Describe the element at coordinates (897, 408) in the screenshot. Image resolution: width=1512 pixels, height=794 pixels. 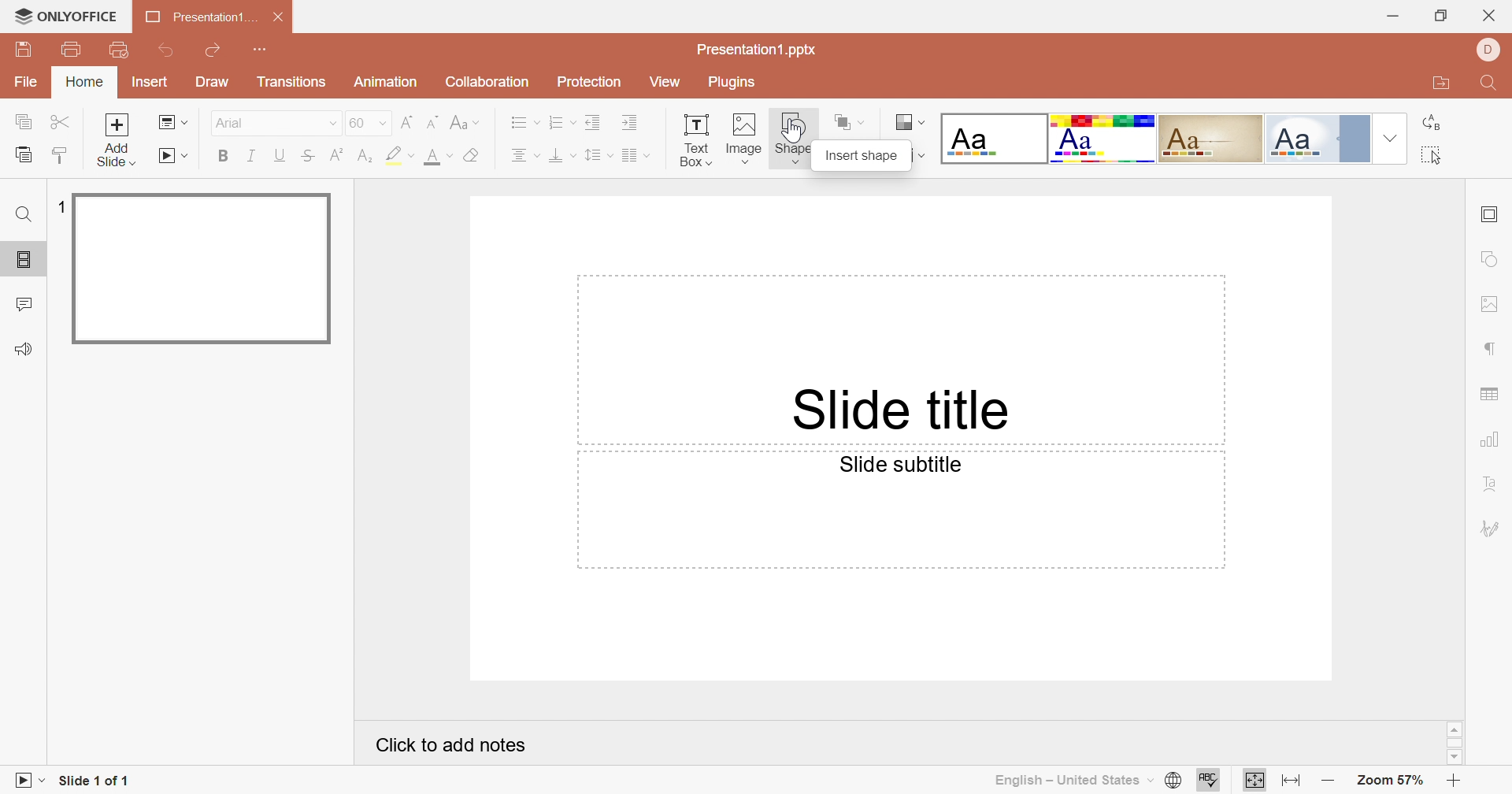
I see `Slide title` at that location.